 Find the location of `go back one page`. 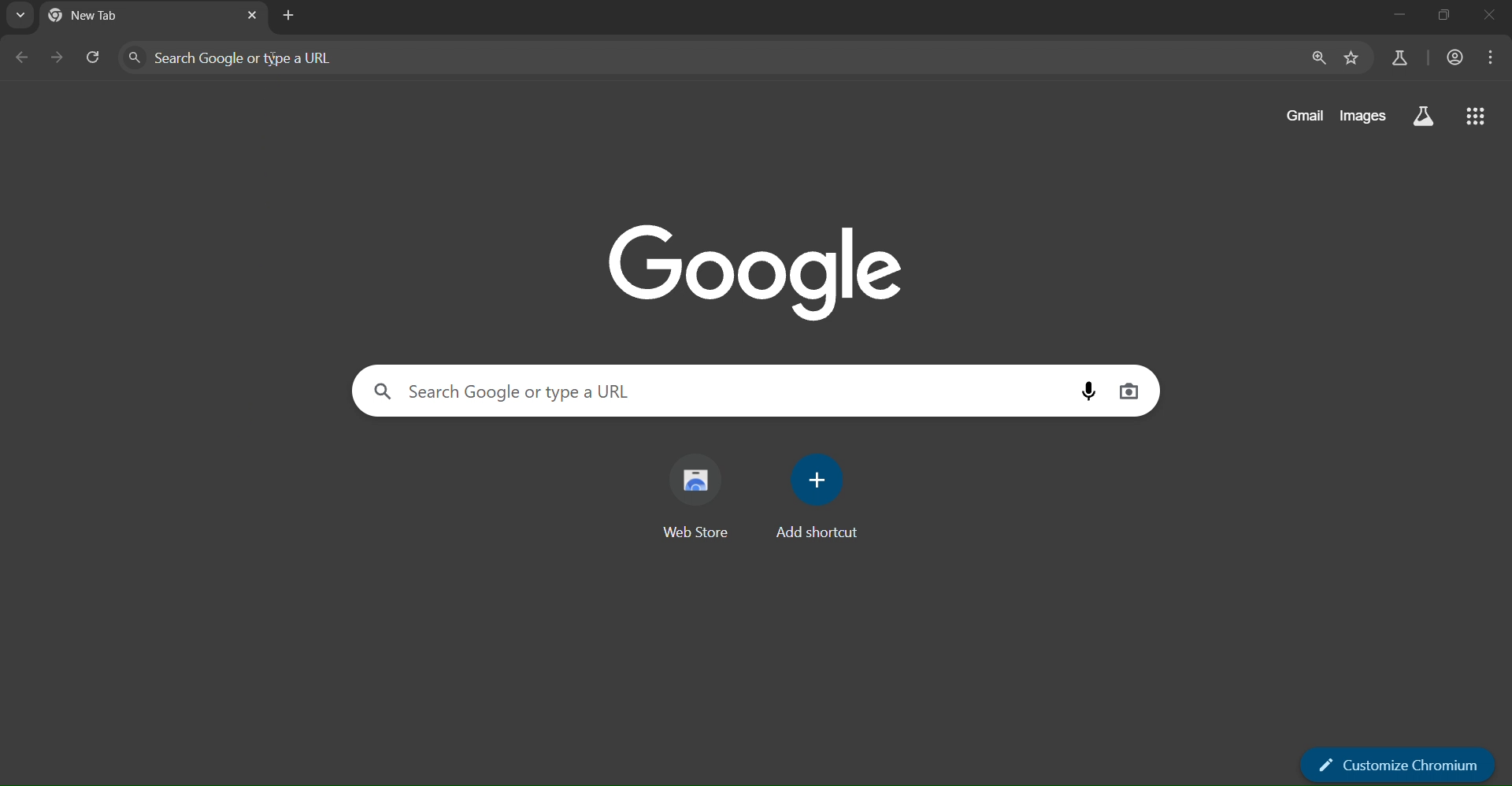

go back one page is located at coordinates (18, 58).